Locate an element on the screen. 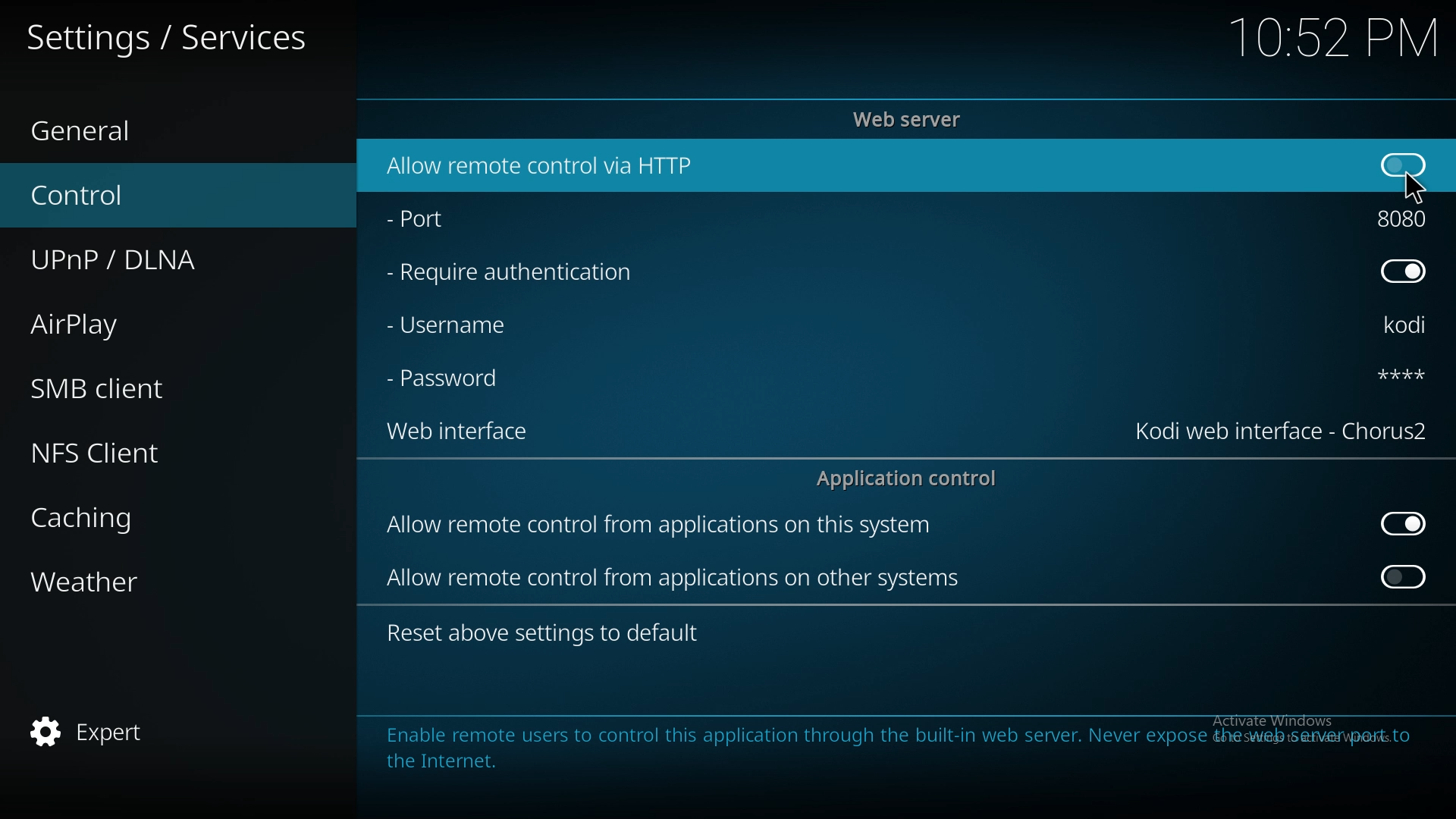 The height and width of the screenshot is (819, 1456). web server is located at coordinates (912, 119).